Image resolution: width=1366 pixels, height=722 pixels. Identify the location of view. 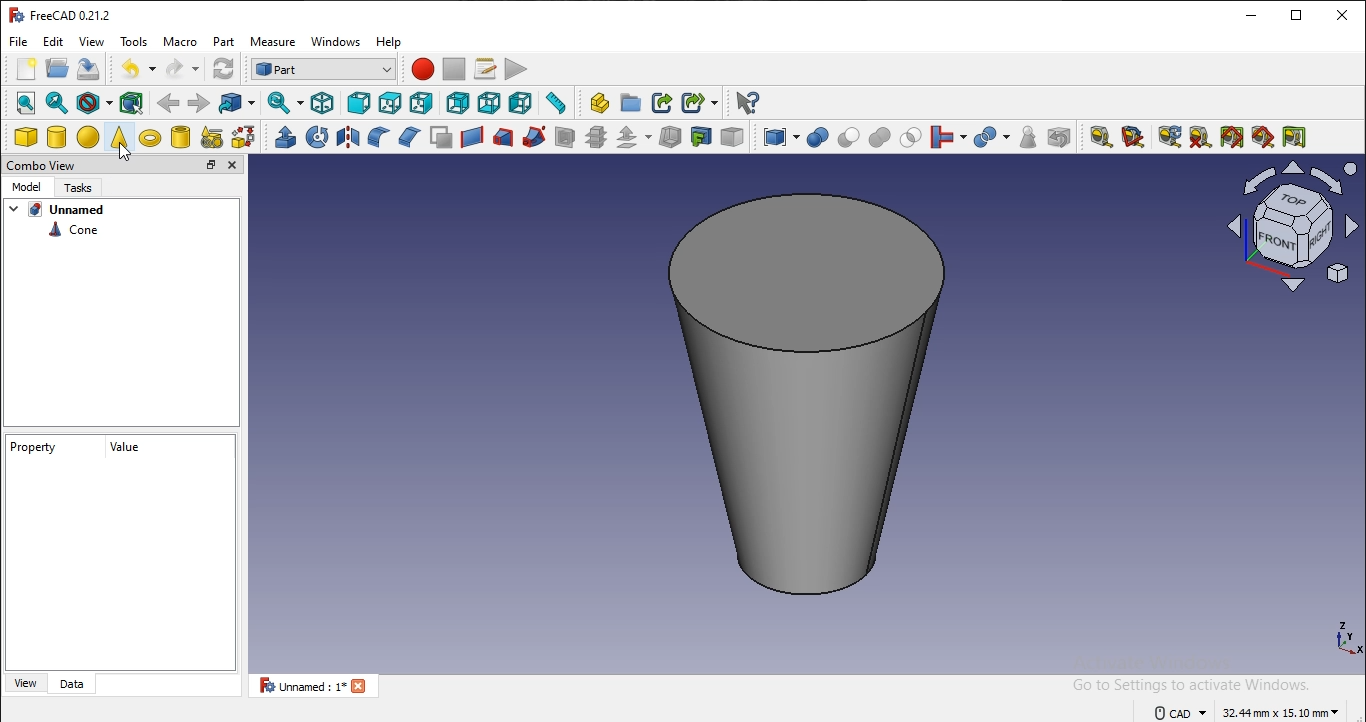
(93, 40).